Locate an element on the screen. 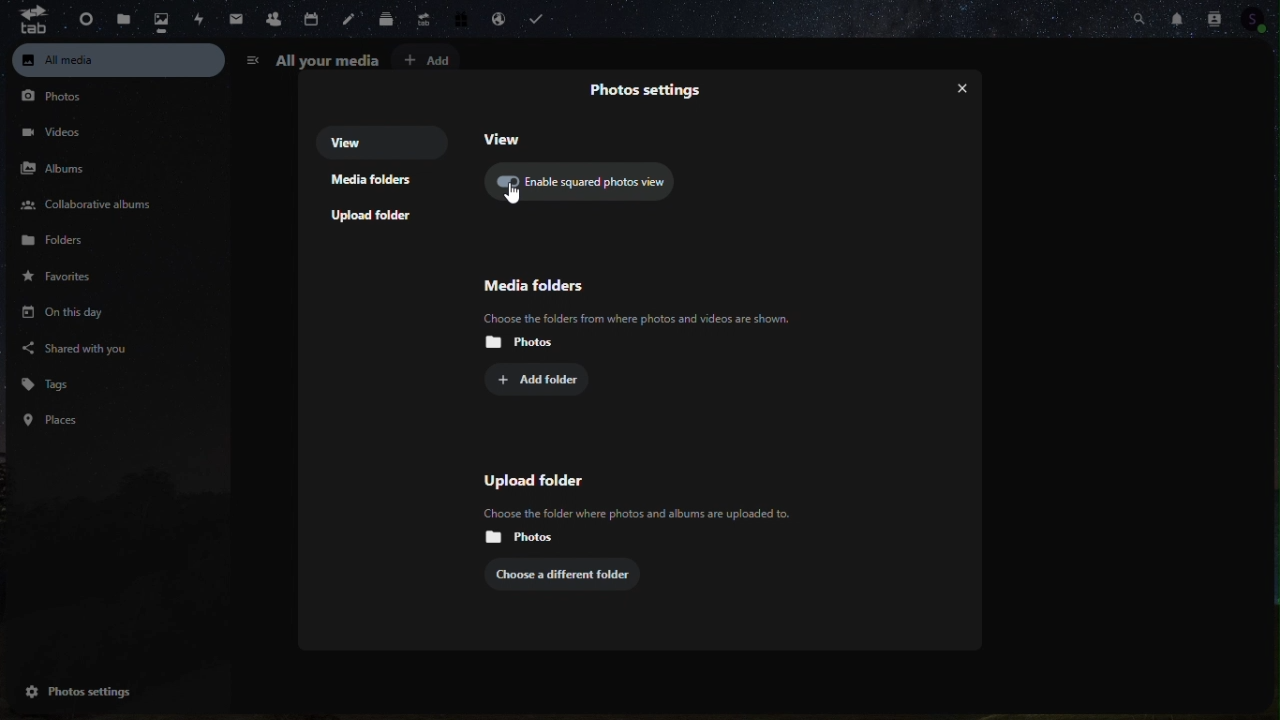  ‘Choose the folders from where photos and videos are shown. is located at coordinates (624, 317).